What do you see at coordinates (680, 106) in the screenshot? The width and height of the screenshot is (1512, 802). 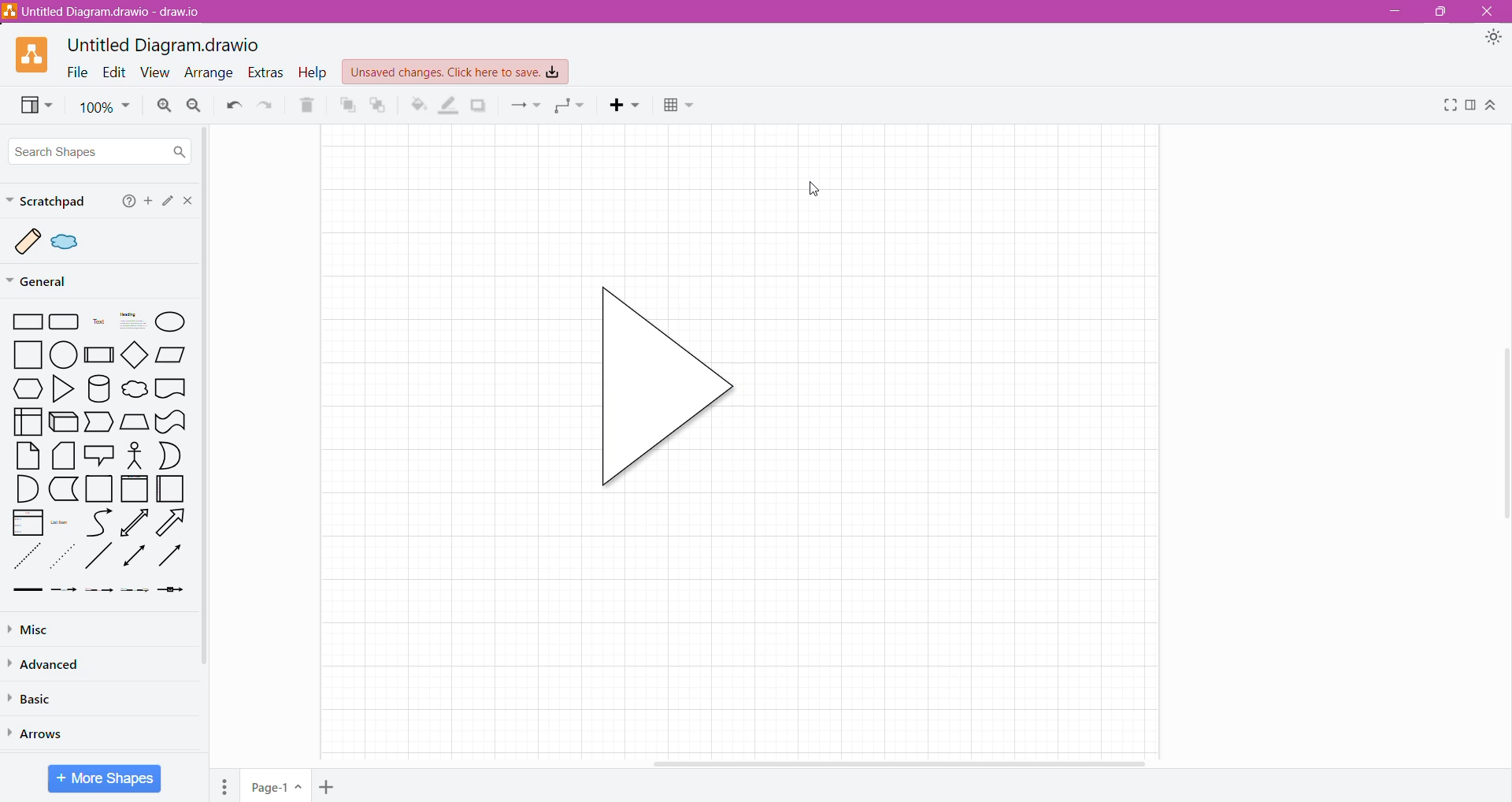 I see `Table` at bounding box center [680, 106].